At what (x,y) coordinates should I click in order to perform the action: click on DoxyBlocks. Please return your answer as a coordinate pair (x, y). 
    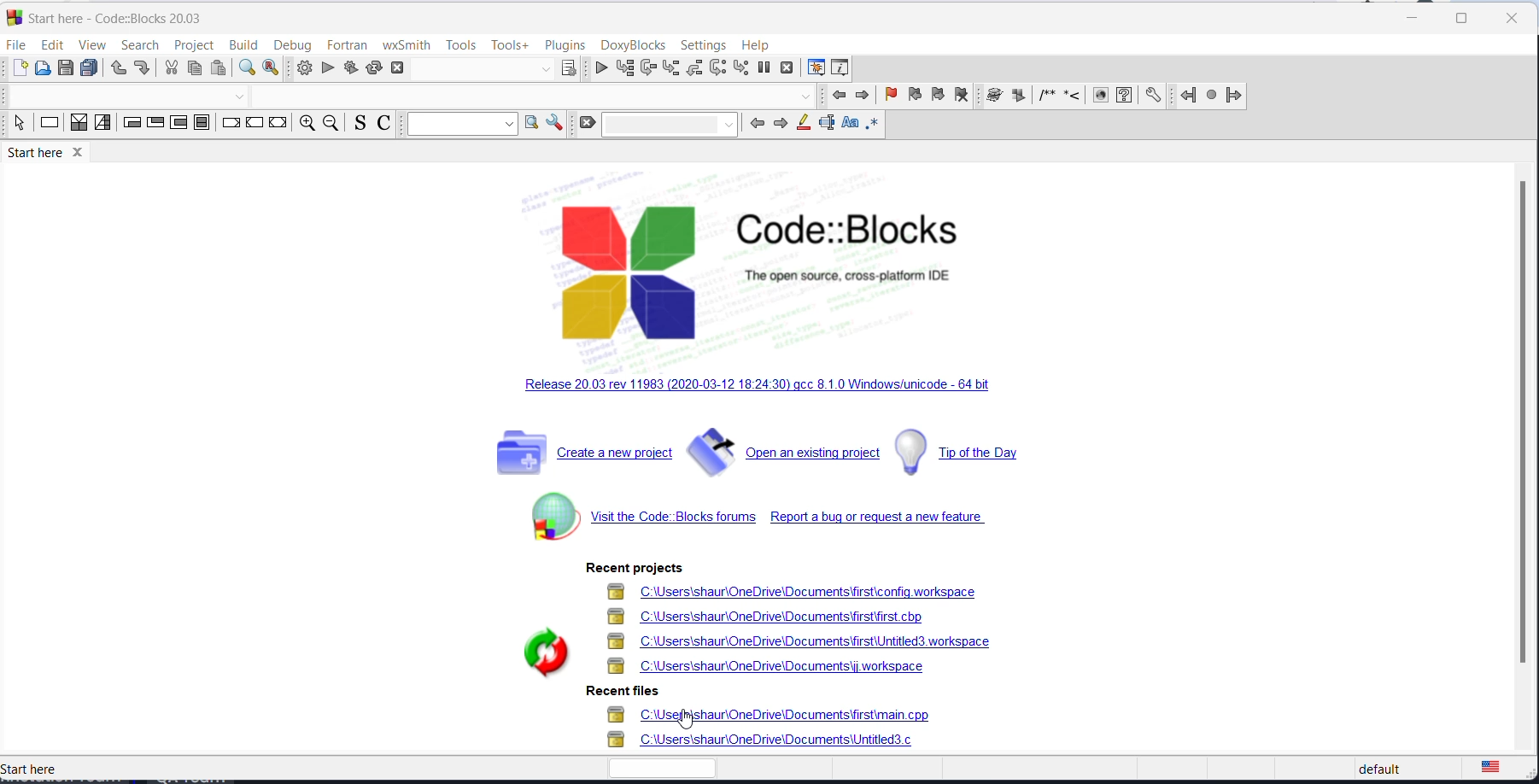
    Looking at the image, I should click on (635, 45).